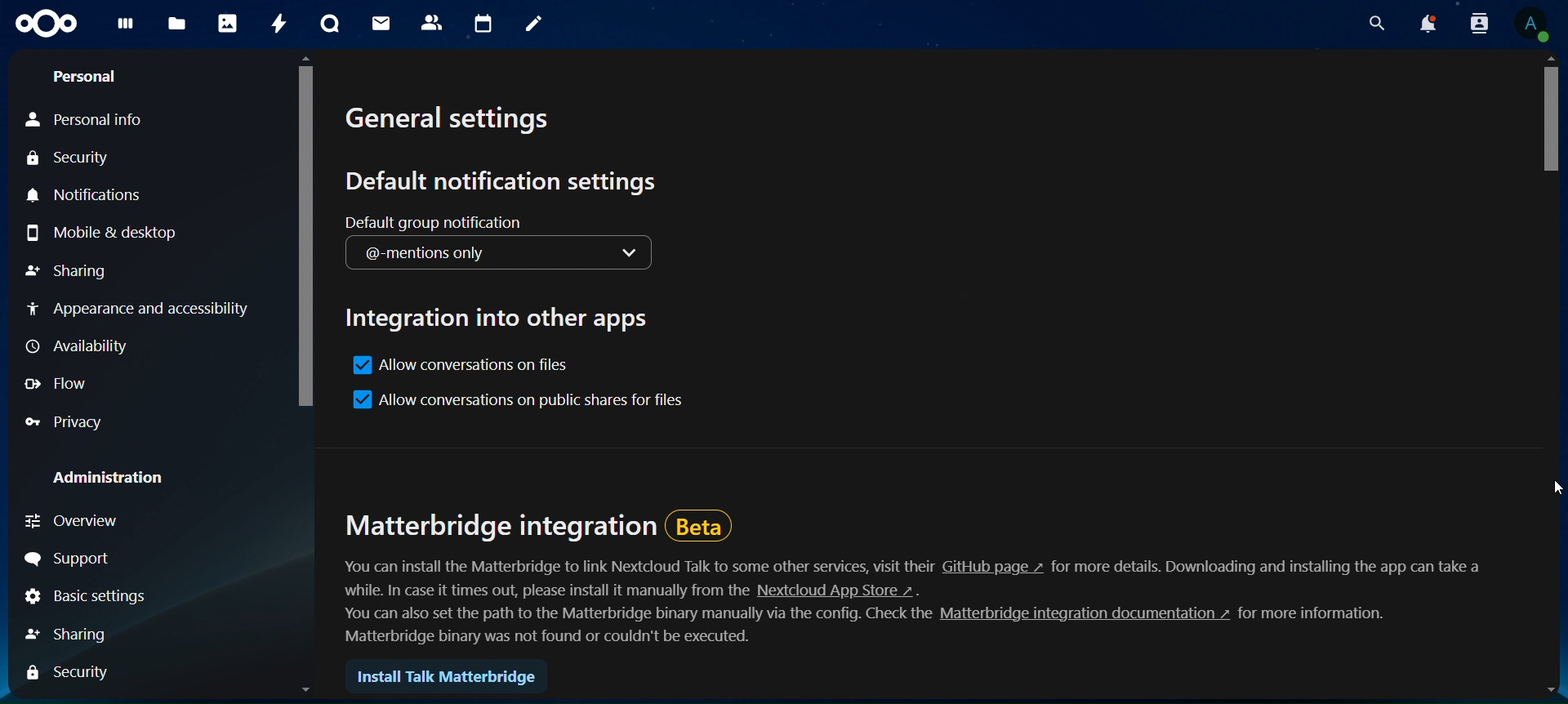 The image size is (1568, 704). Describe the element at coordinates (128, 28) in the screenshot. I see `dashboard` at that location.